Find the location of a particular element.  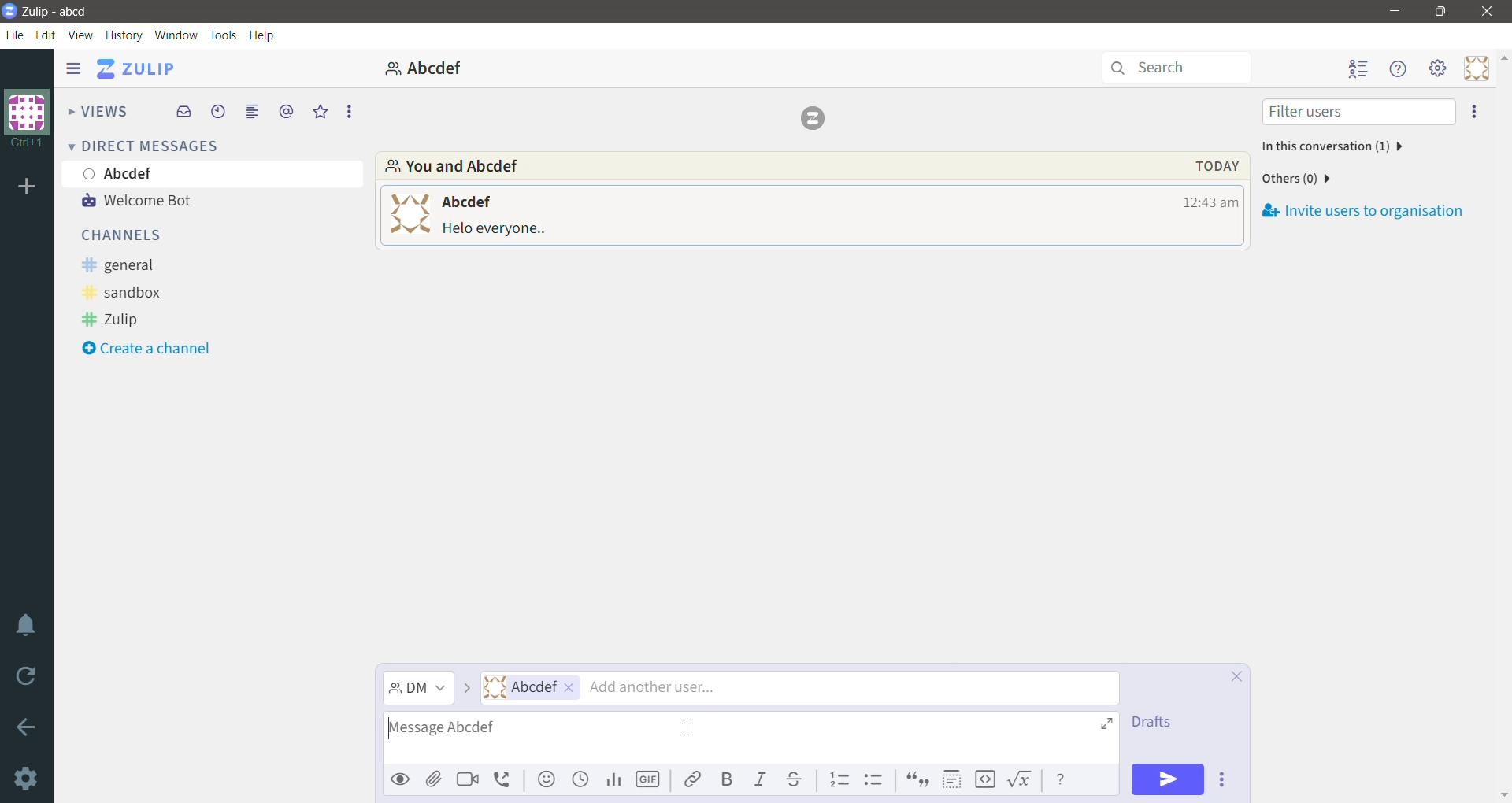

Help menu is located at coordinates (1400, 68).